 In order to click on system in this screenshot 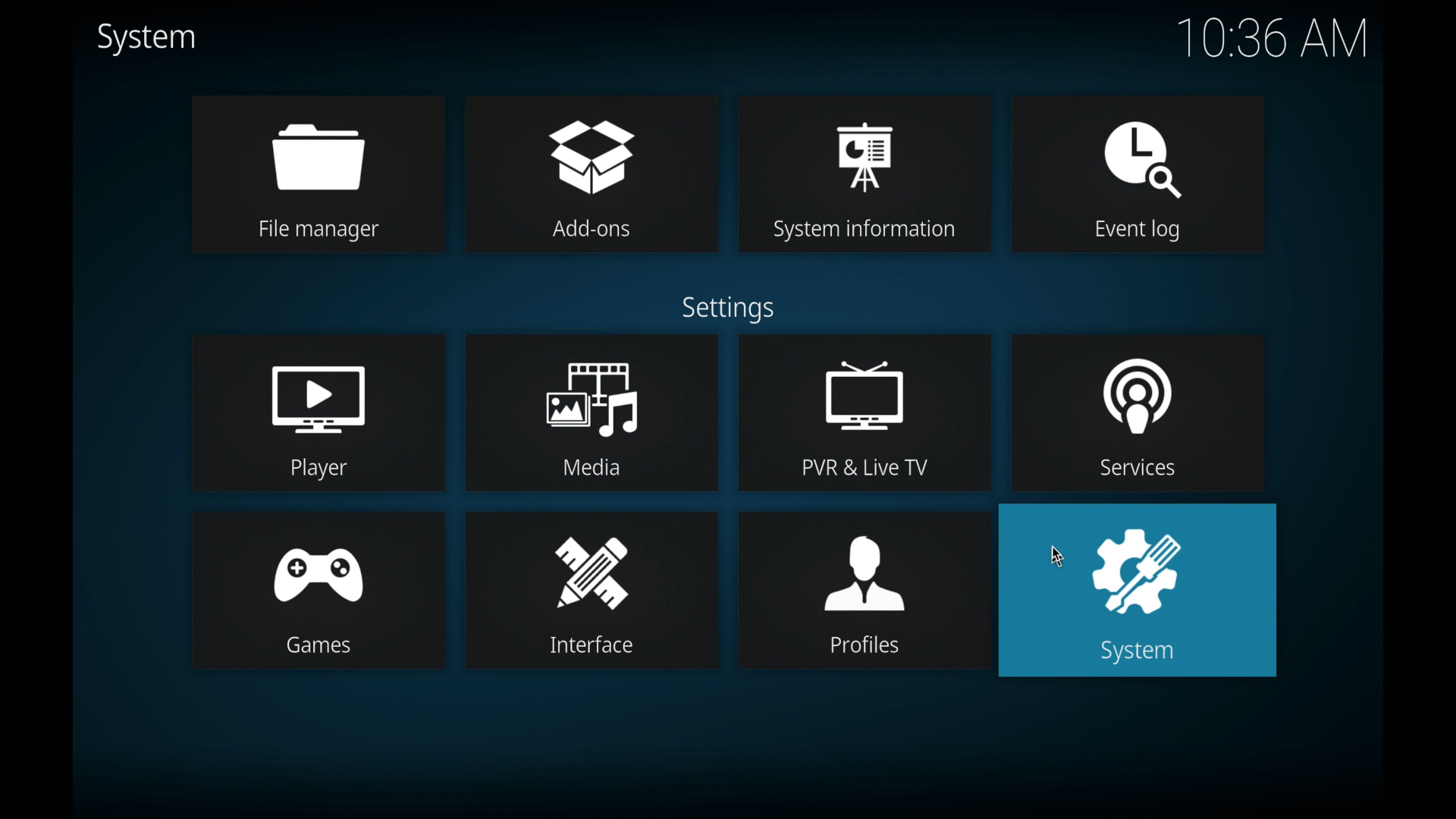, I will do `click(147, 39)`.